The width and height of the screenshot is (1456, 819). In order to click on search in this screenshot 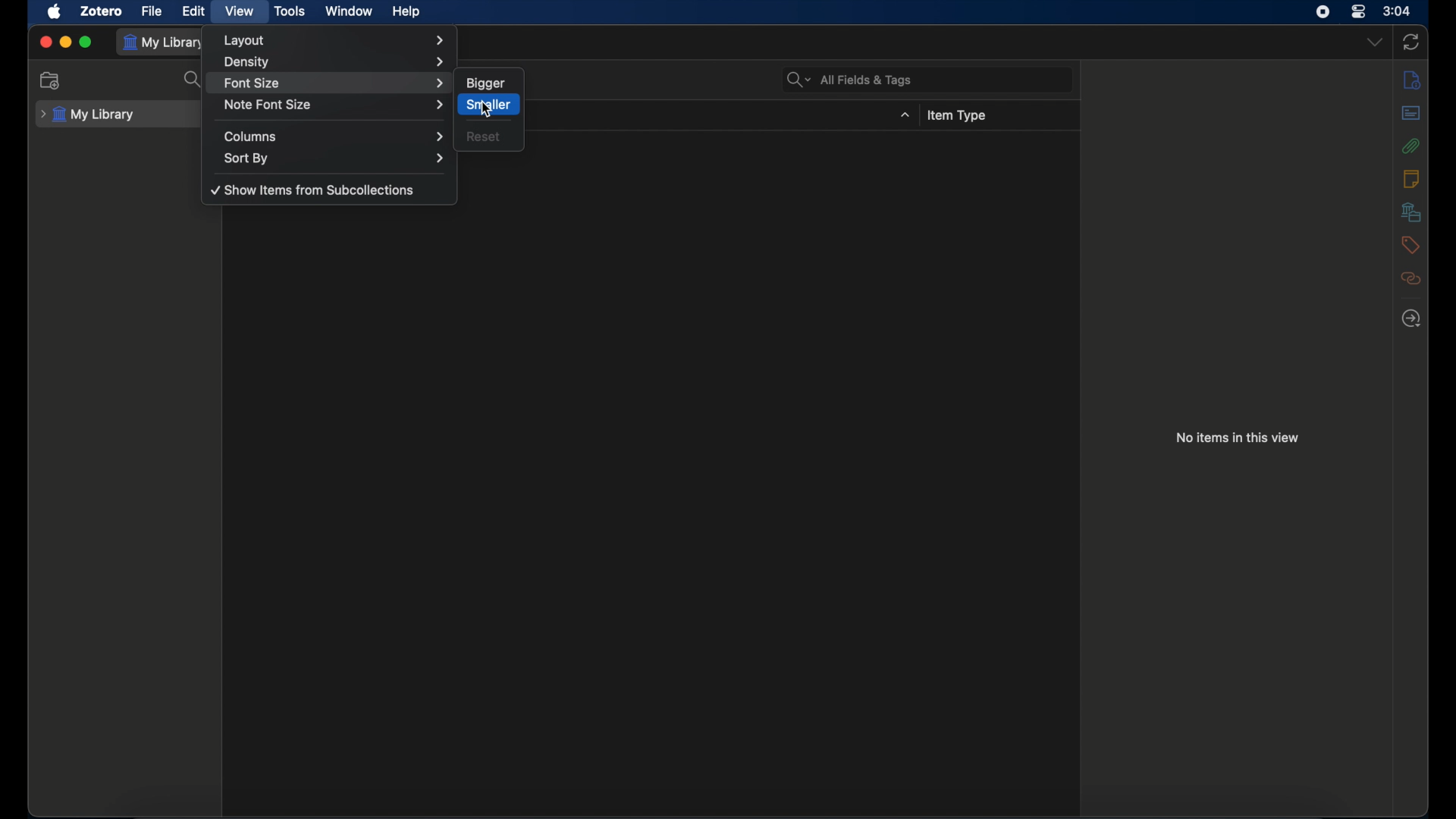, I will do `click(196, 80)`.